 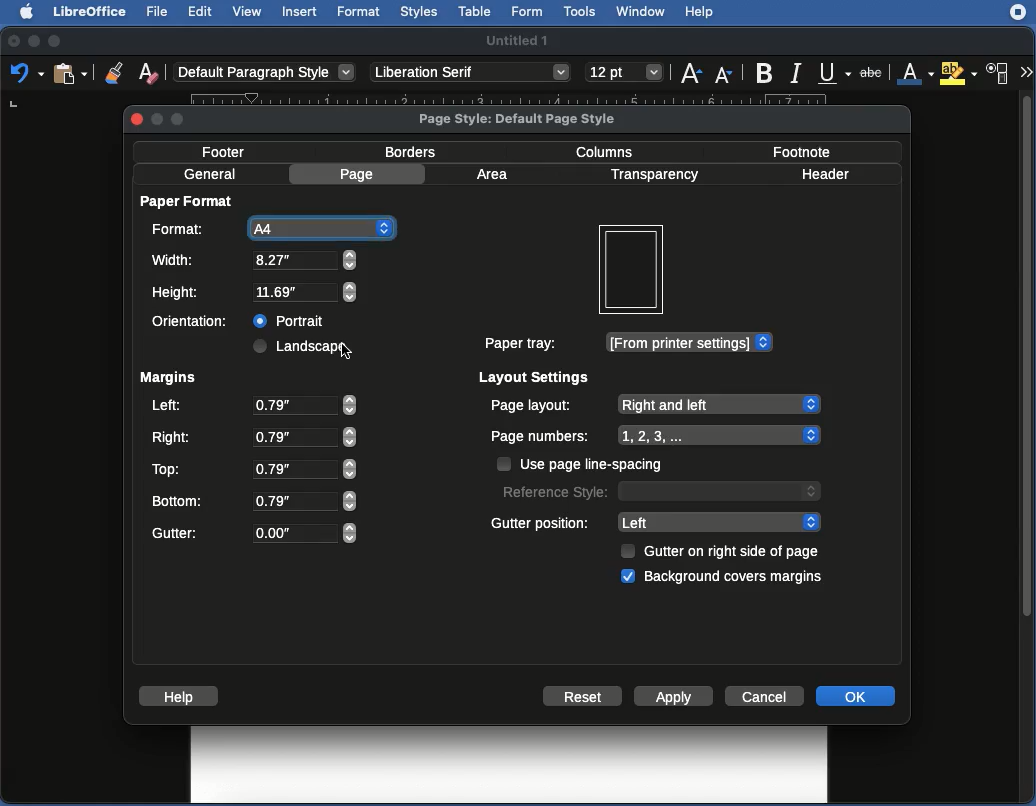 I want to click on Columns, so click(x=610, y=152).